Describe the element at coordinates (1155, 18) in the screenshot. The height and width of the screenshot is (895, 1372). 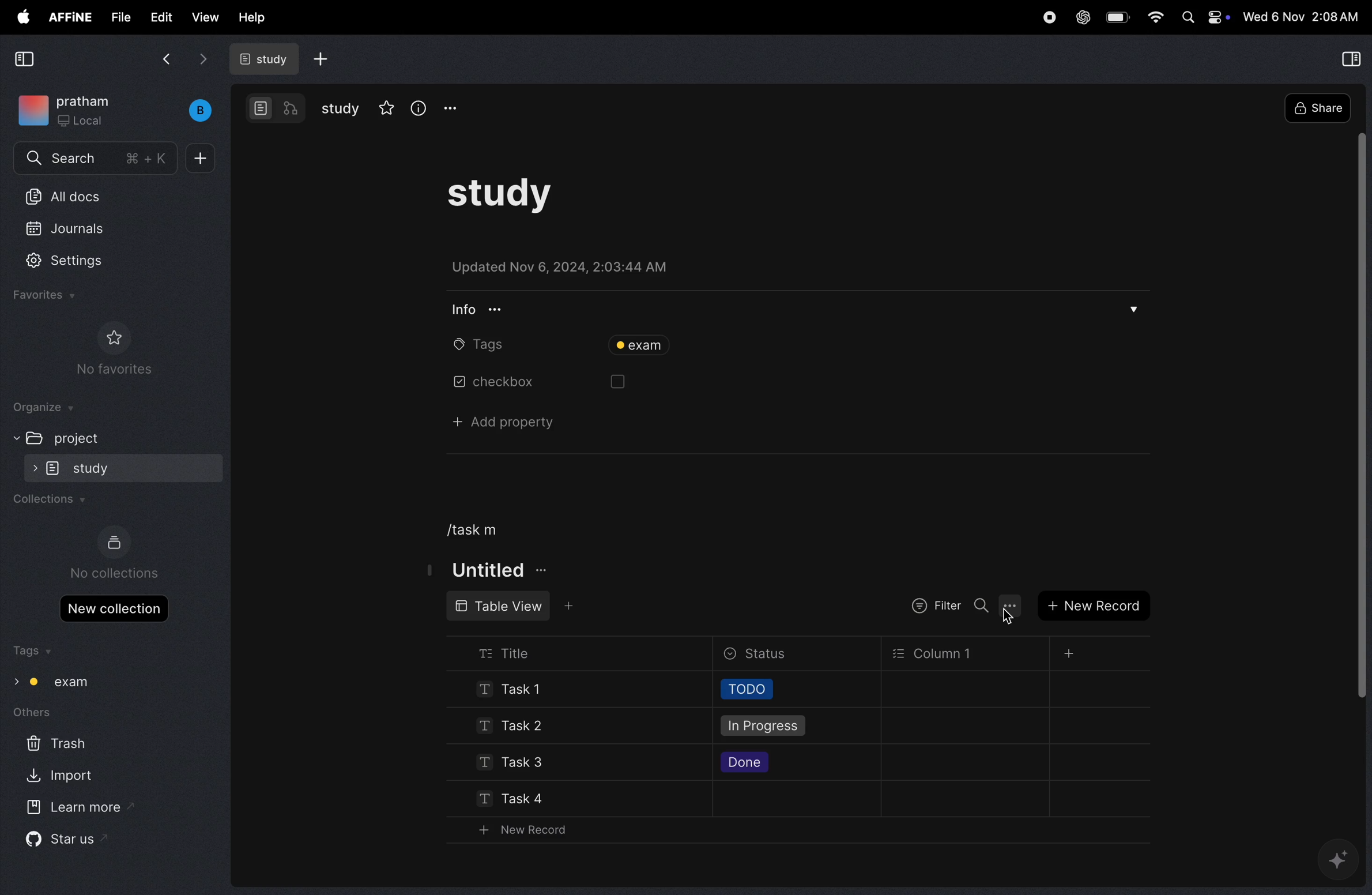
I see `wifi` at that location.